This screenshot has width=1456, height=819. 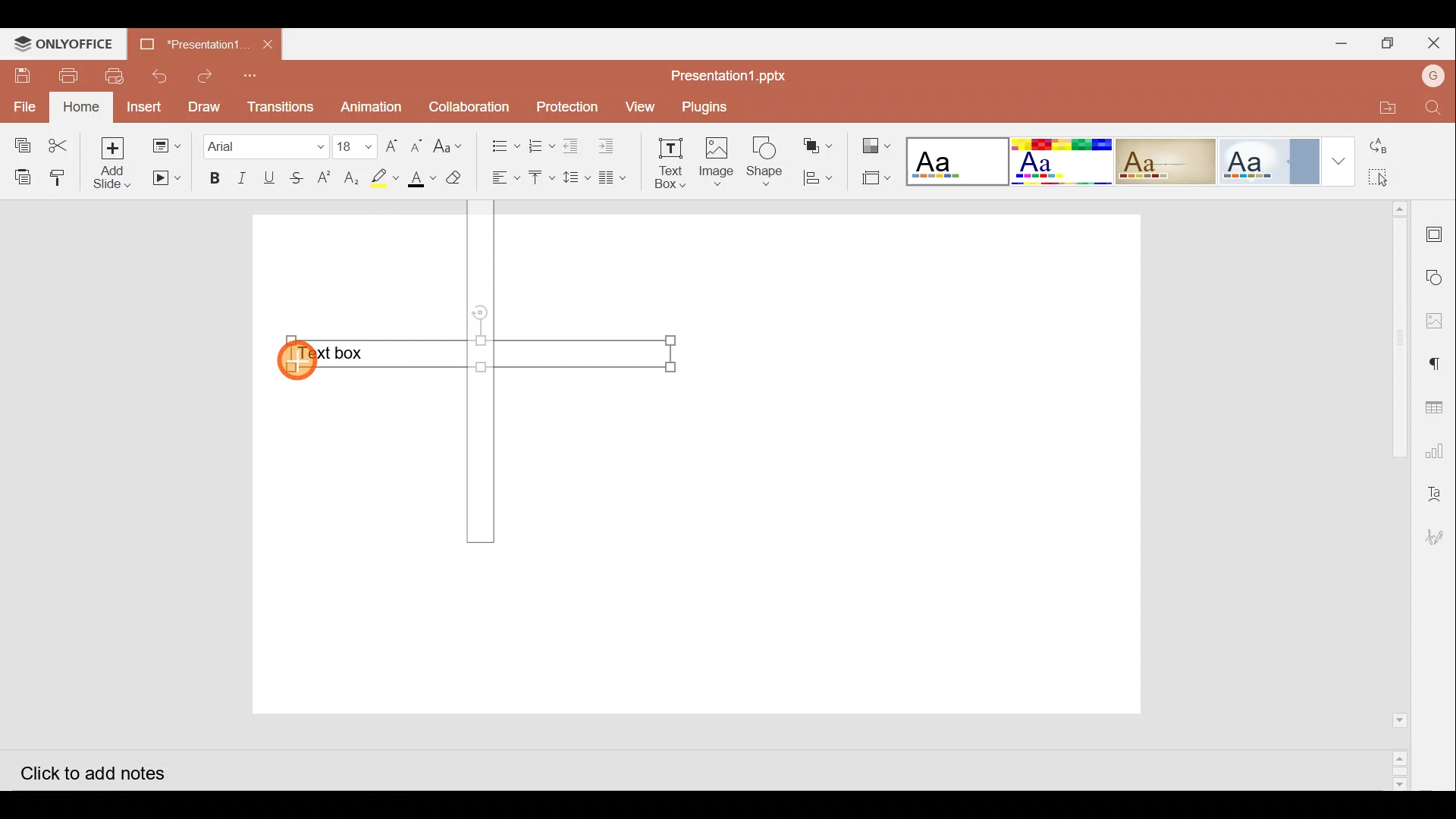 What do you see at coordinates (1392, 42) in the screenshot?
I see `Maximize` at bounding box center [1392, 42].